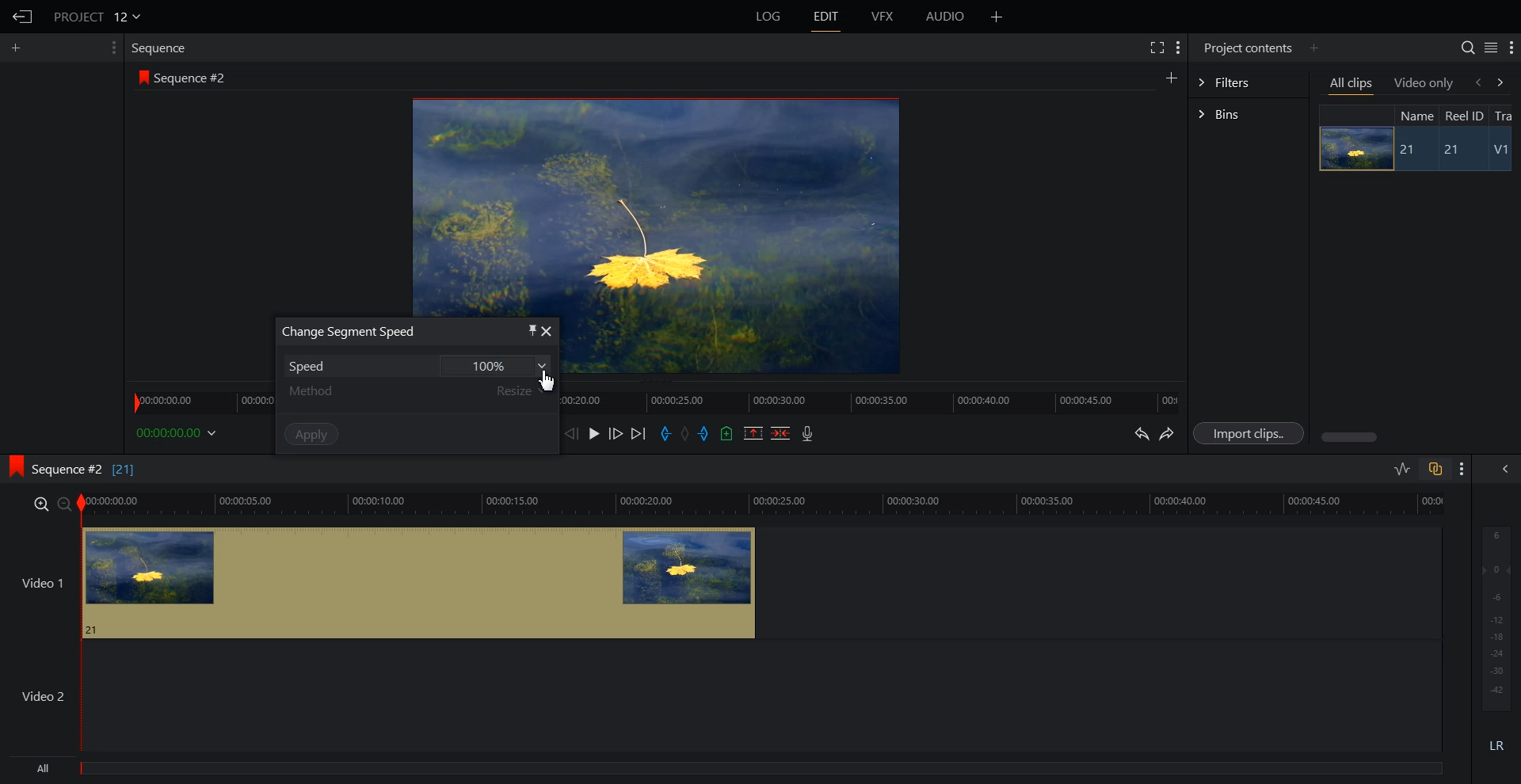 The width and height of the screenshot is (1521, 784). What do you see at coordinates (741, 343) in the screenshot?
I see `video preview` at bounding box center [741, 343].